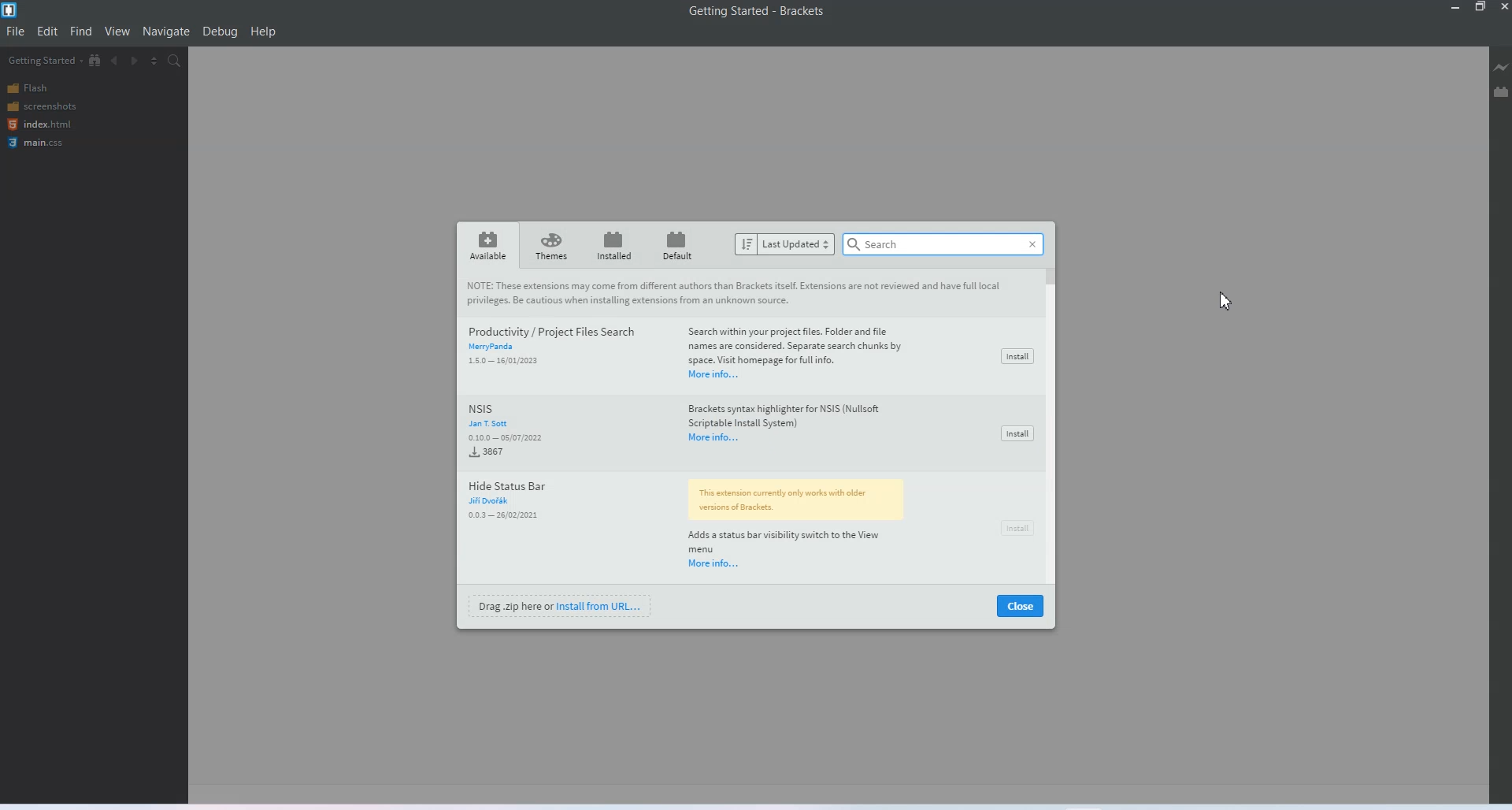  I want to click on index.html, so click(38, 124).